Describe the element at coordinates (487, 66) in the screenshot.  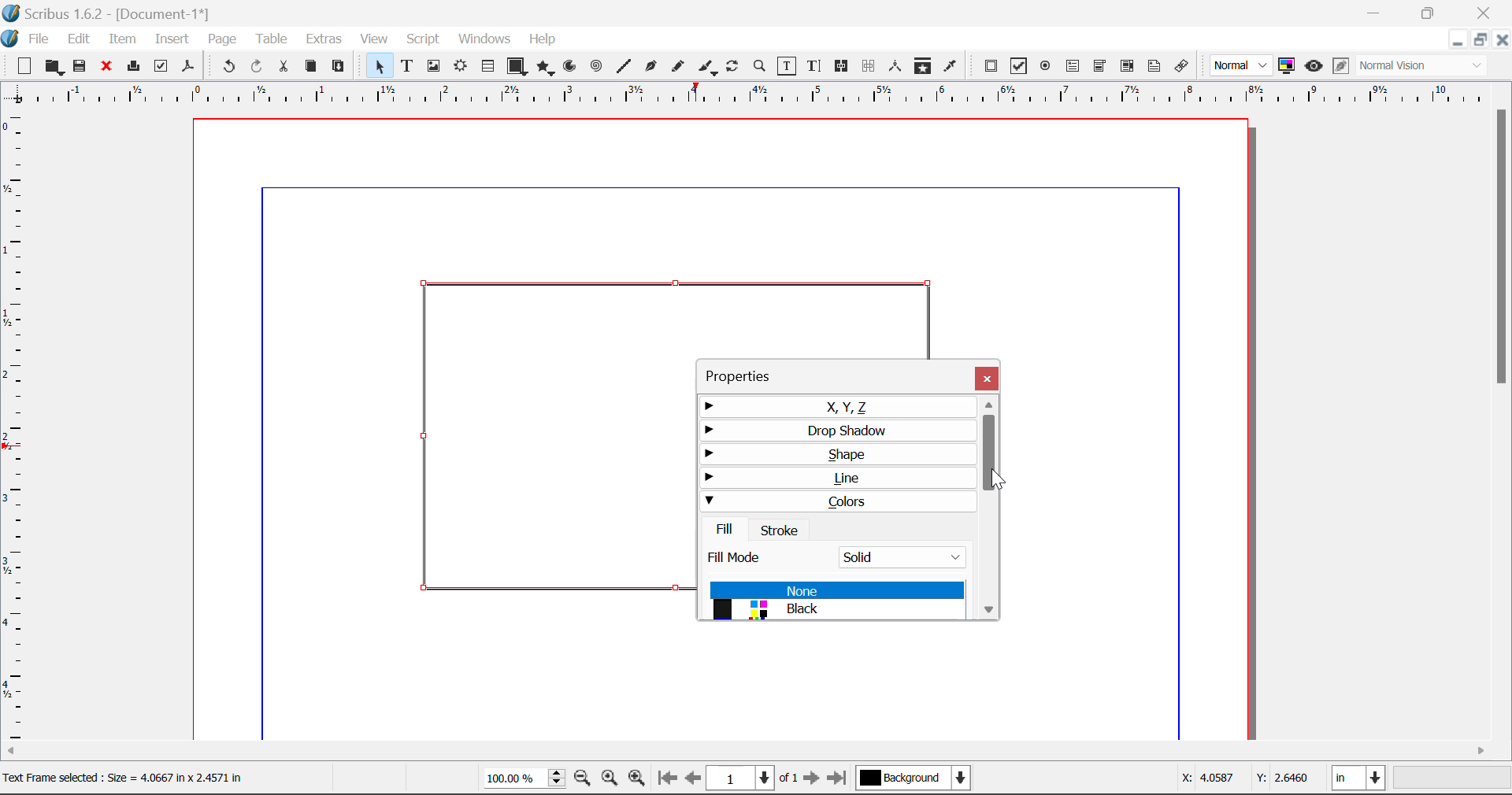
I see `Tables` at that location.